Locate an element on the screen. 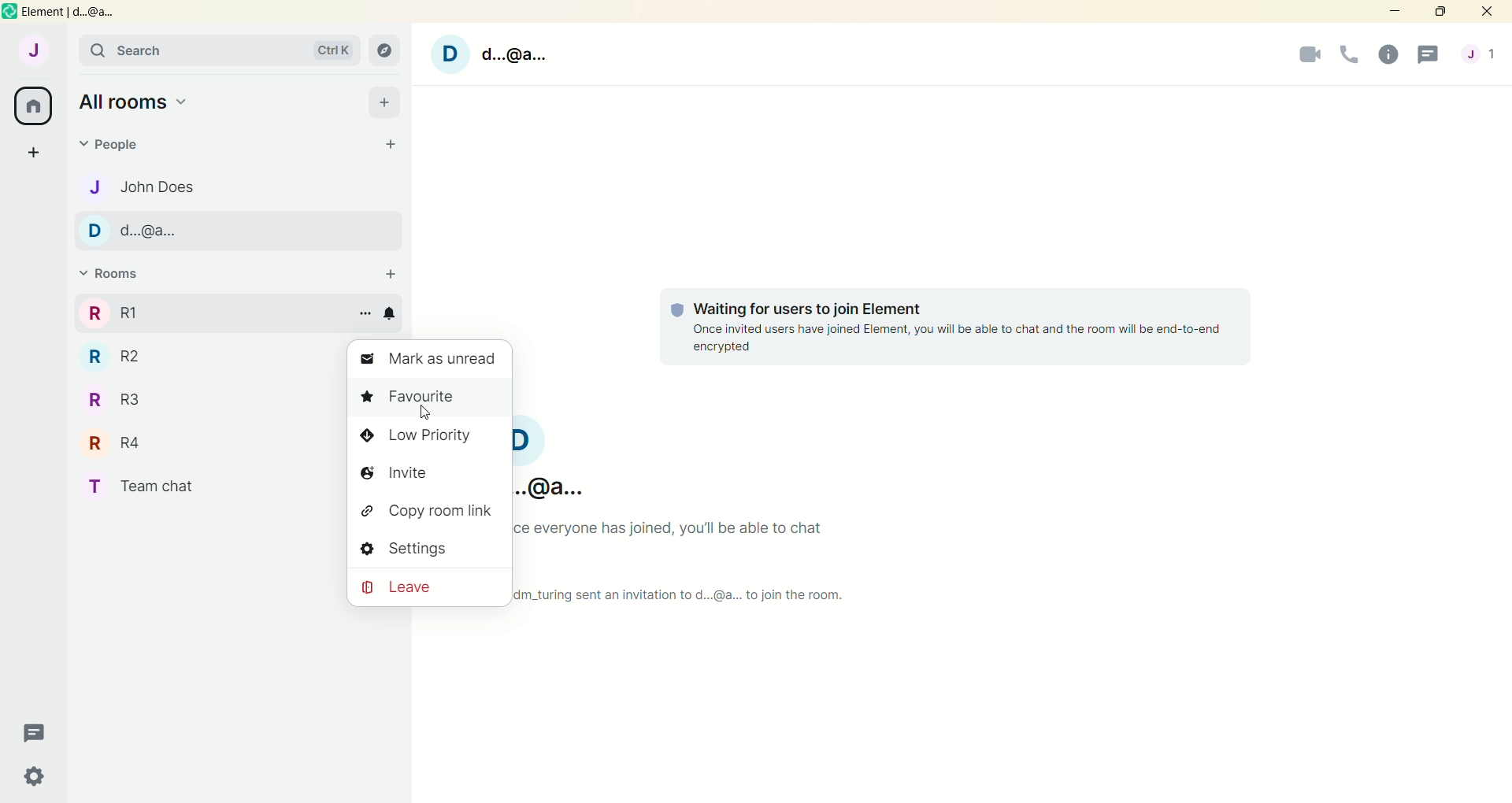 This screenshot has width=1512, height=803. v Rooms is located at coordinates (129, 276).